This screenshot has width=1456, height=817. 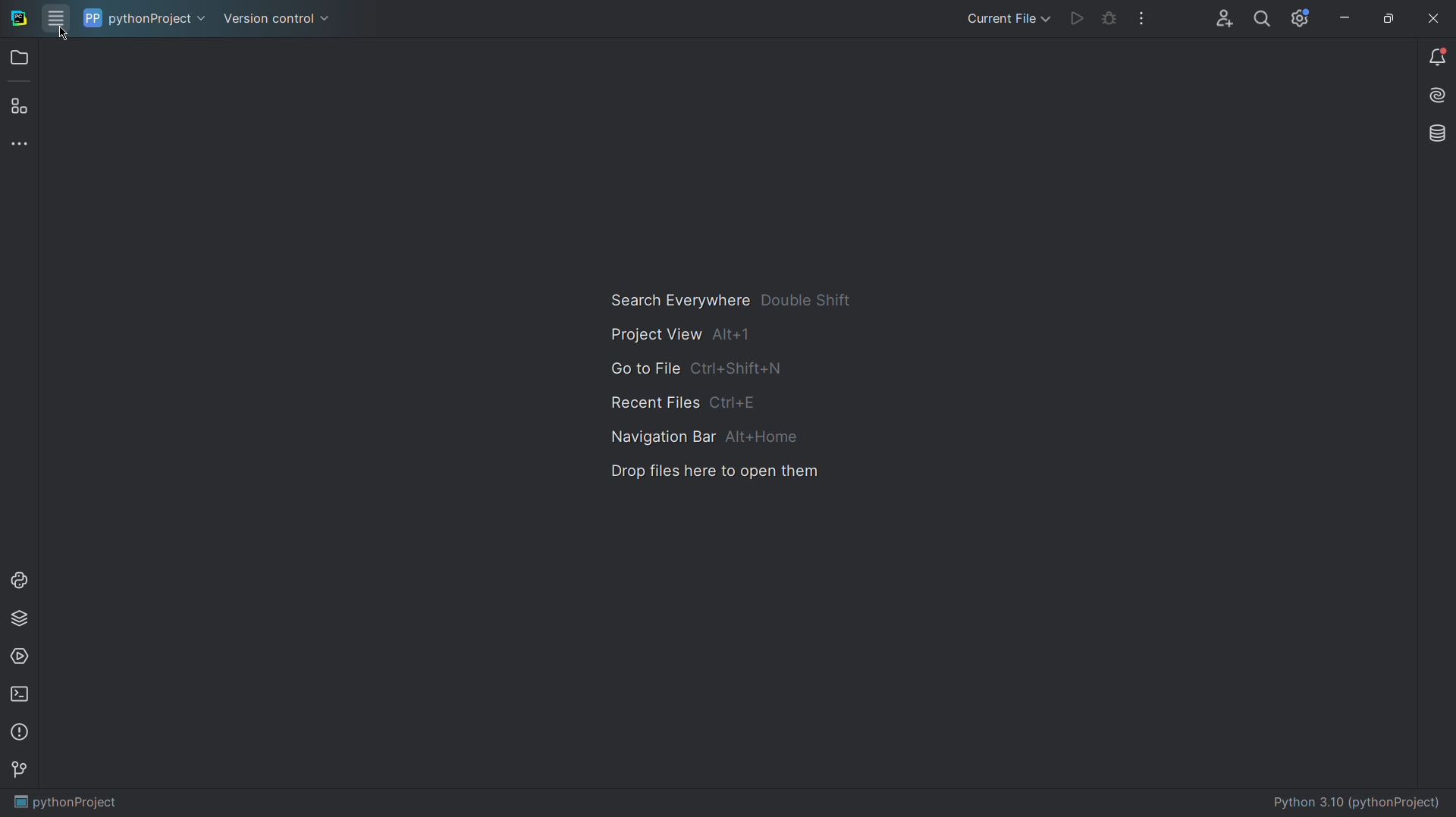 I want to click on Terminal, so click(x=22, y=695).